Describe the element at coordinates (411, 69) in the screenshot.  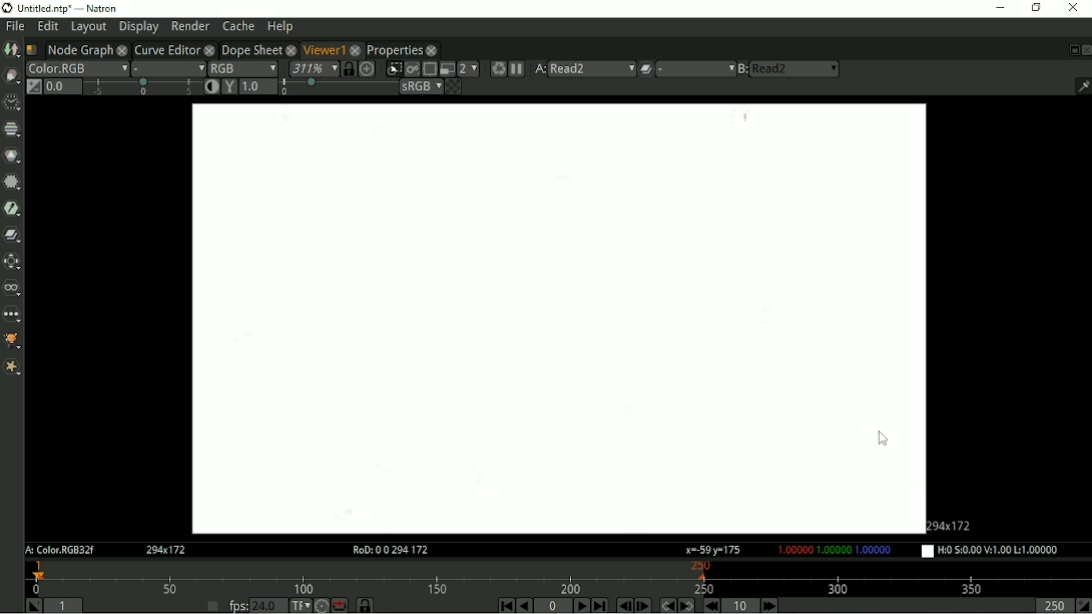
I see `Render image` at that location.